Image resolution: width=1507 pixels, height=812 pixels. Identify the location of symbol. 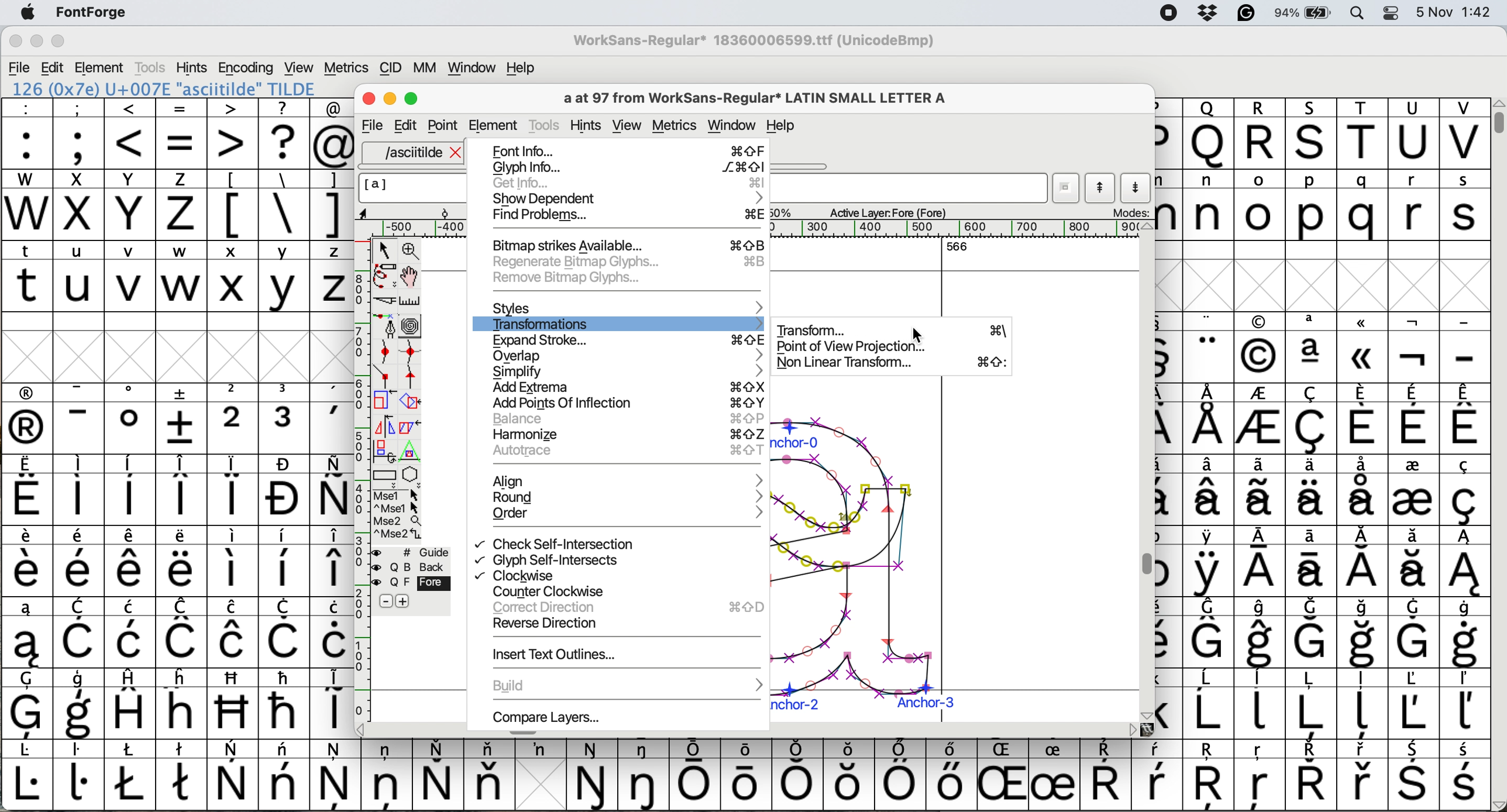
(1209, 348).